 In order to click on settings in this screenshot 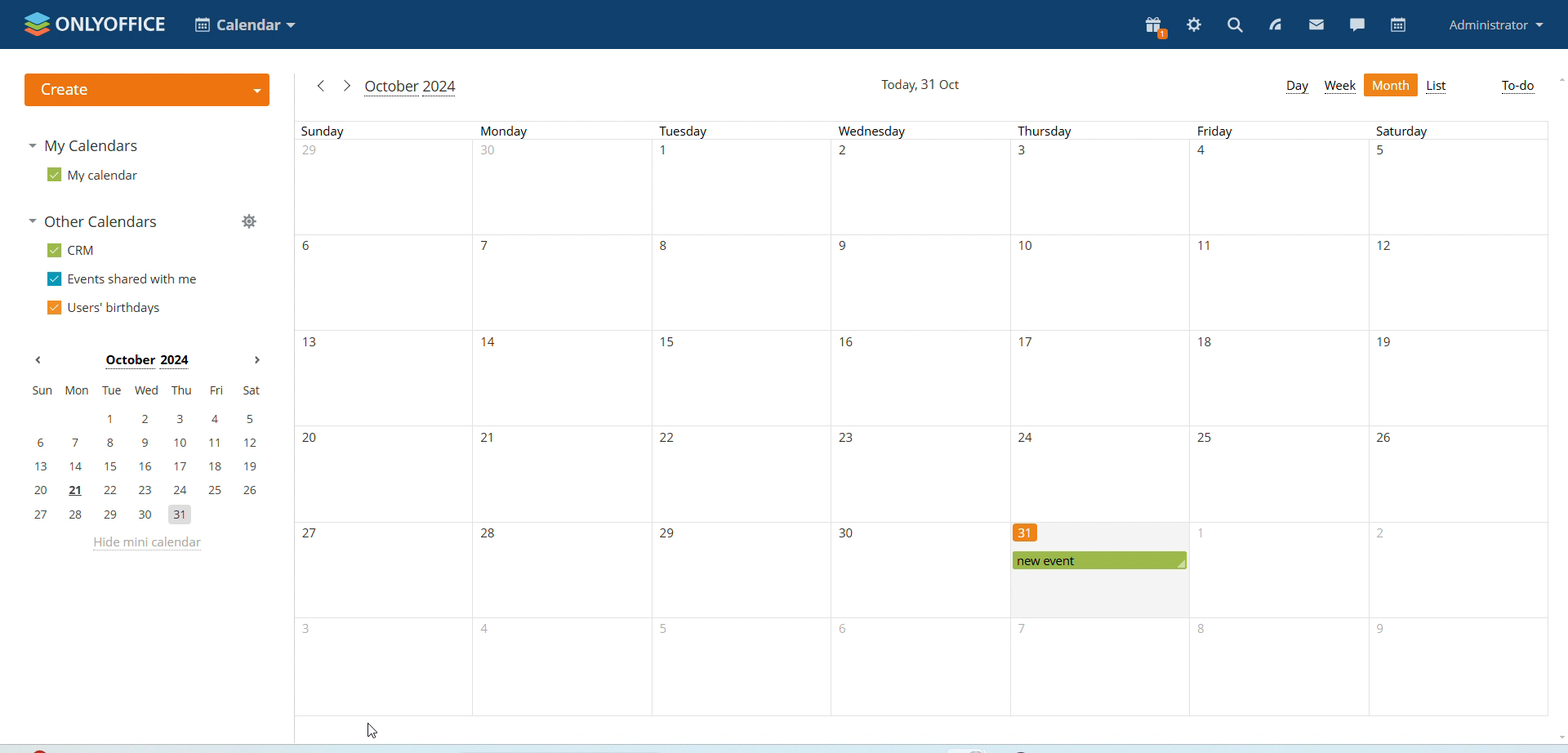, I will do `click(1195, 25)`.